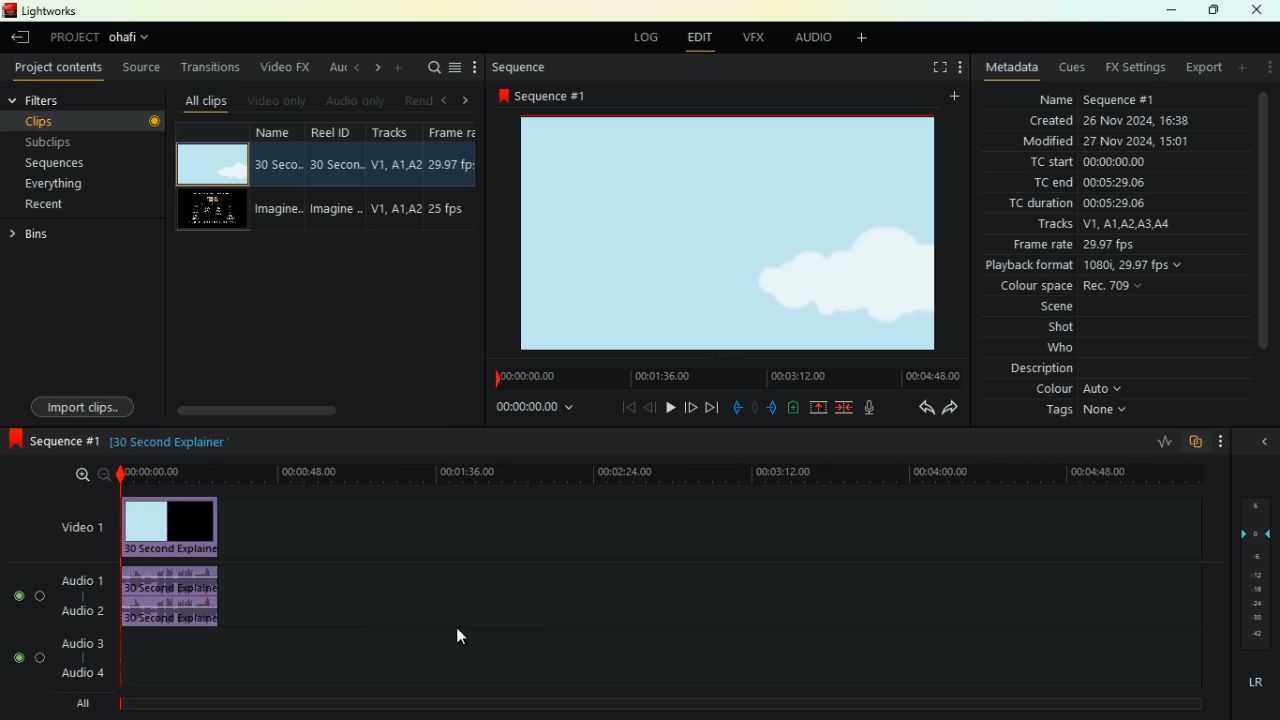  What do you see at coordinates (933, 68) in the screenshot?
I see `fullscreen` at bounding box center [933, 68].